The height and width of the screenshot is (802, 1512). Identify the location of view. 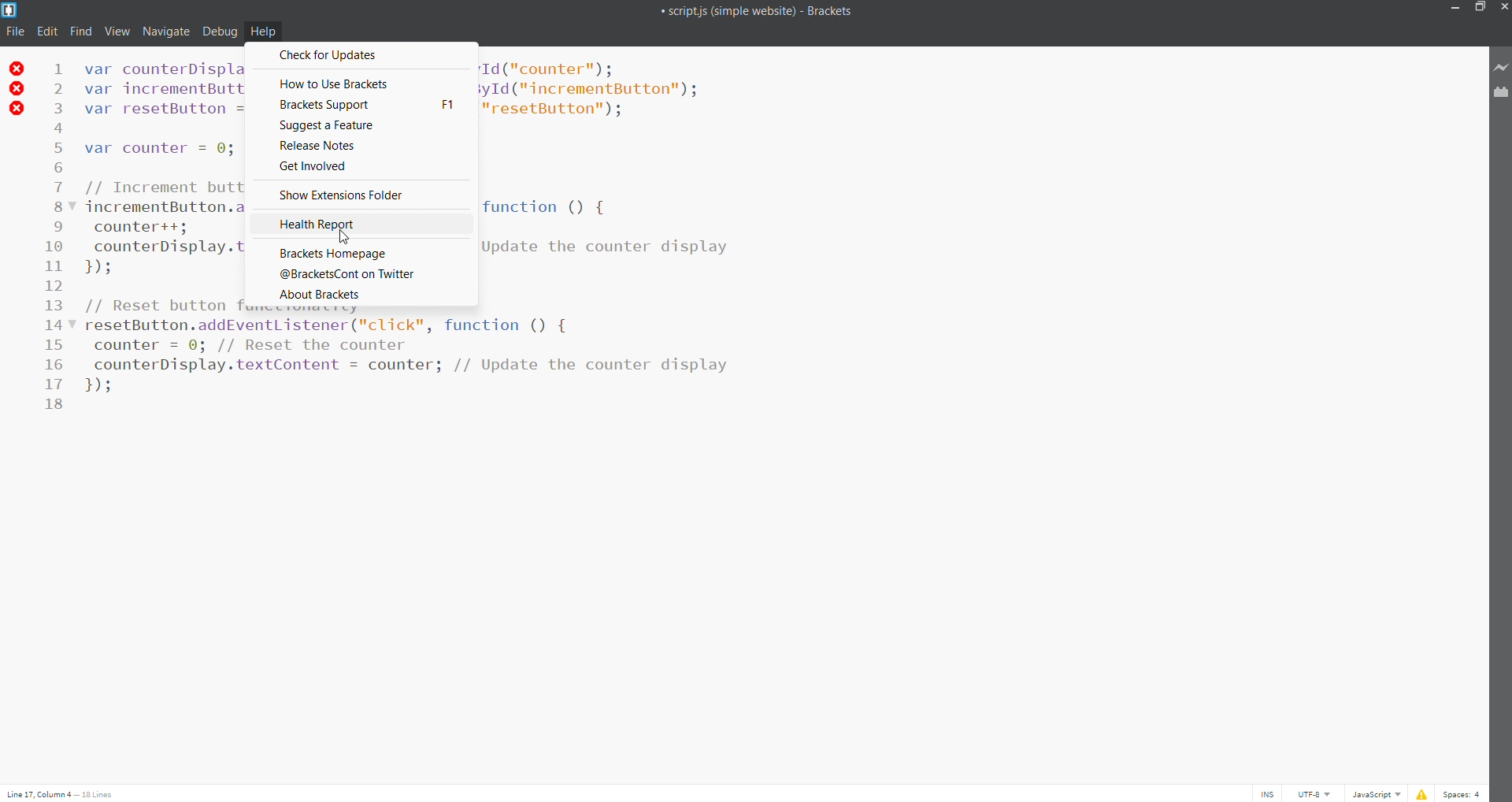
(113, 32).